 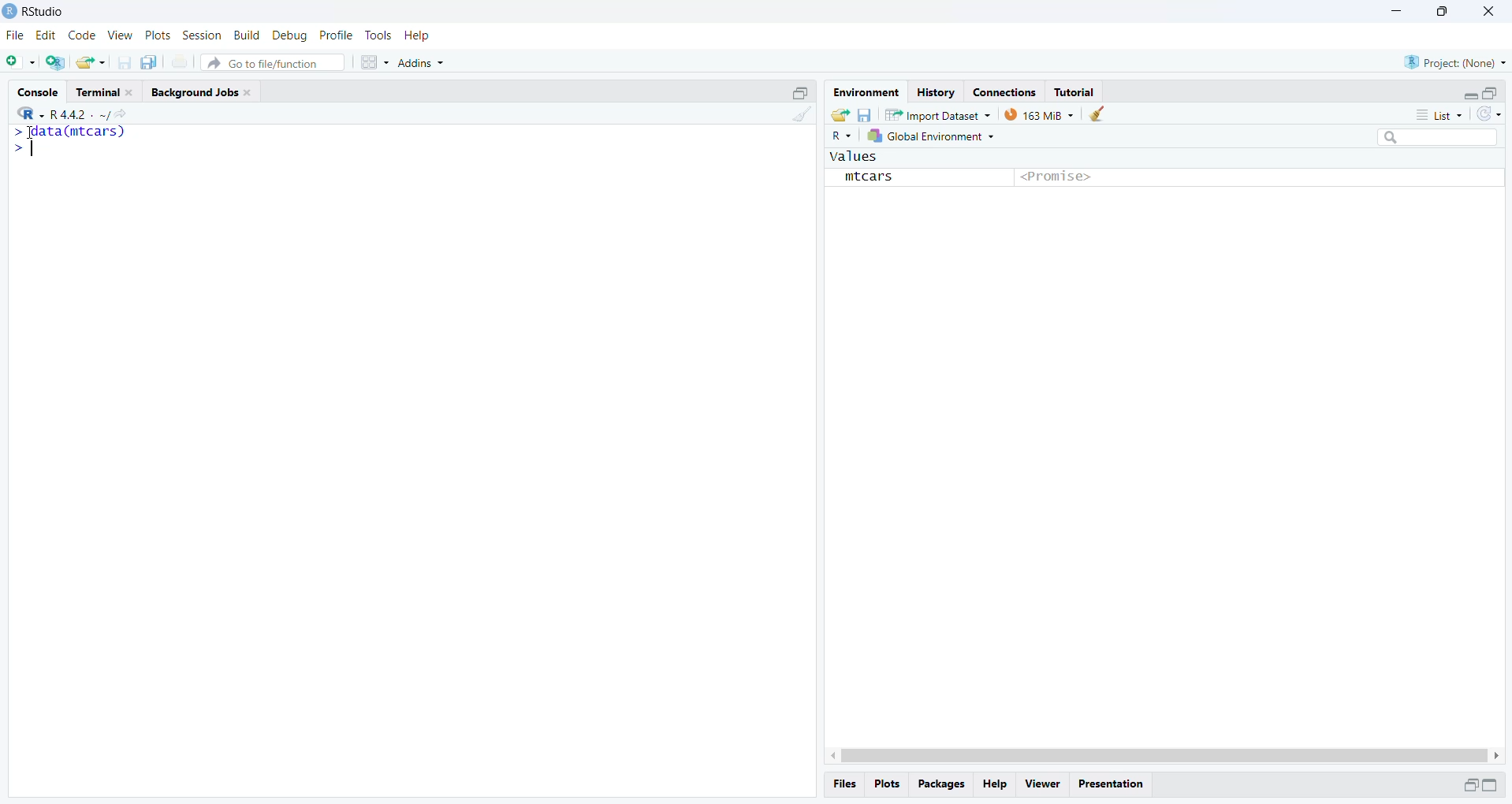 What do you see at coordinates (1490, 9) in the screenshot?
I see `close` at bounding box center [1490, 9].